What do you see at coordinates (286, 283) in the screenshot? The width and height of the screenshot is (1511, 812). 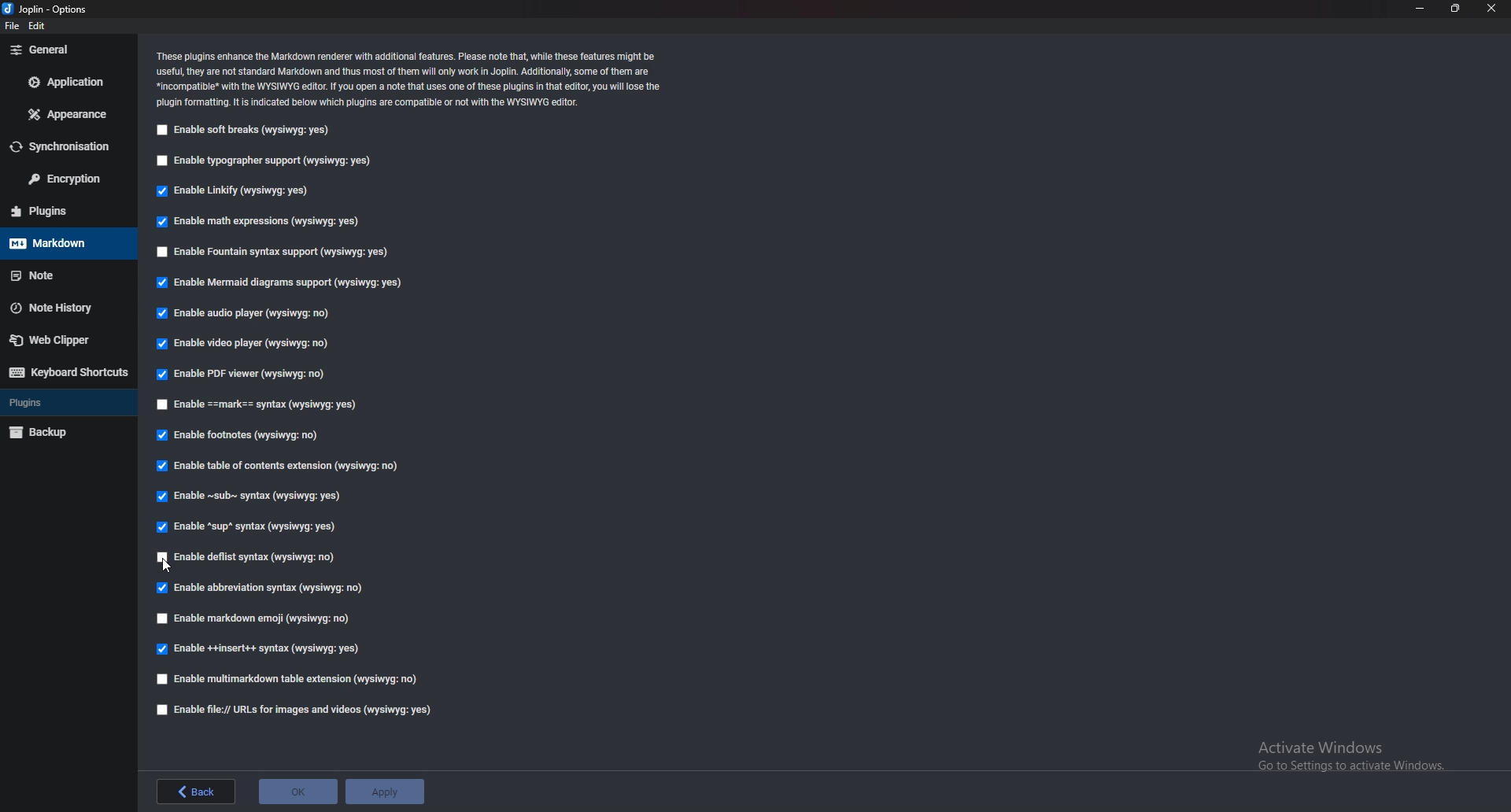 I see `Enable mermaid diagrams` at bounding box center [286, 283].